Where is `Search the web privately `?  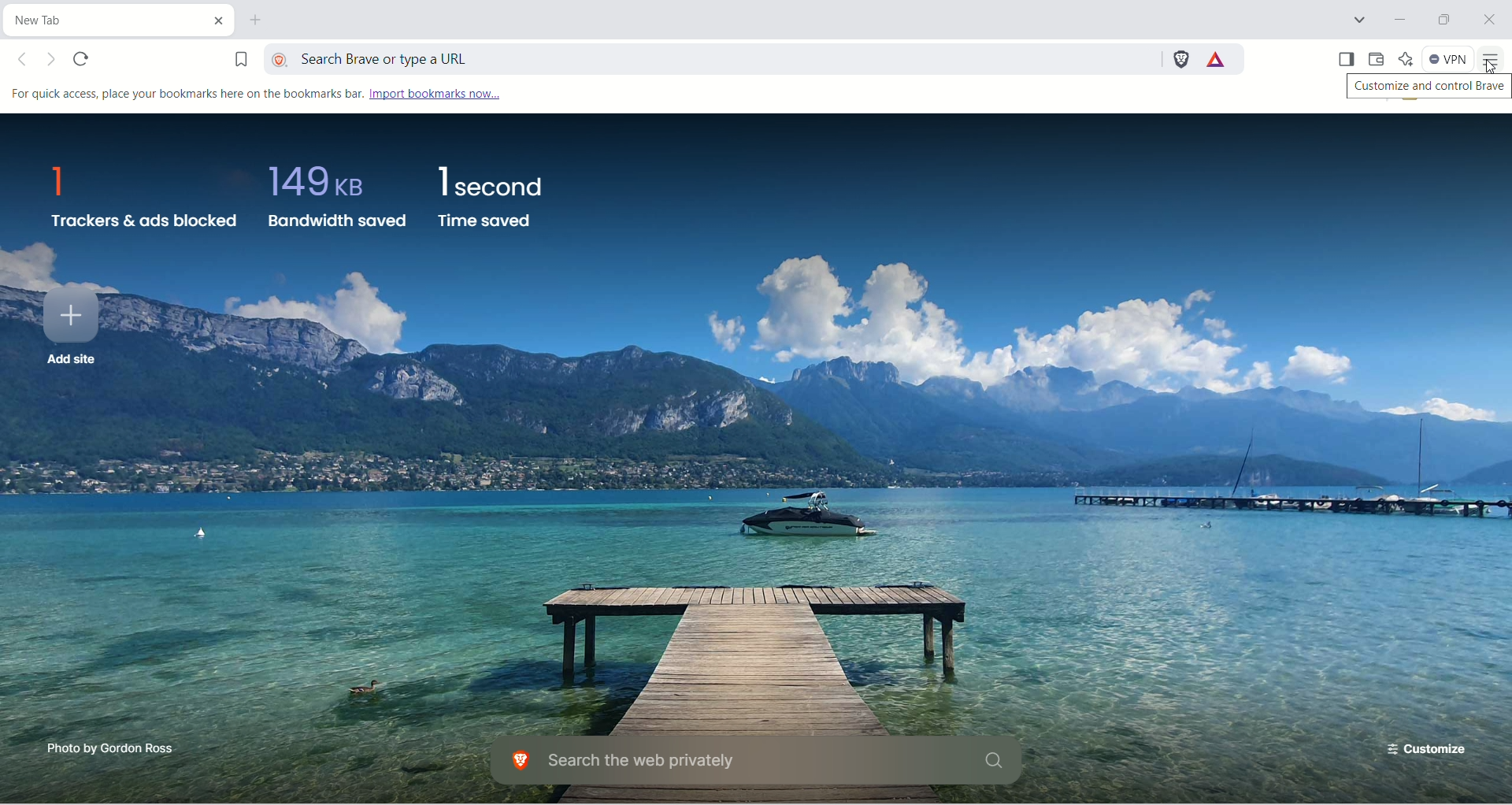
Search the web privately  is located at coordinates (757, 762).